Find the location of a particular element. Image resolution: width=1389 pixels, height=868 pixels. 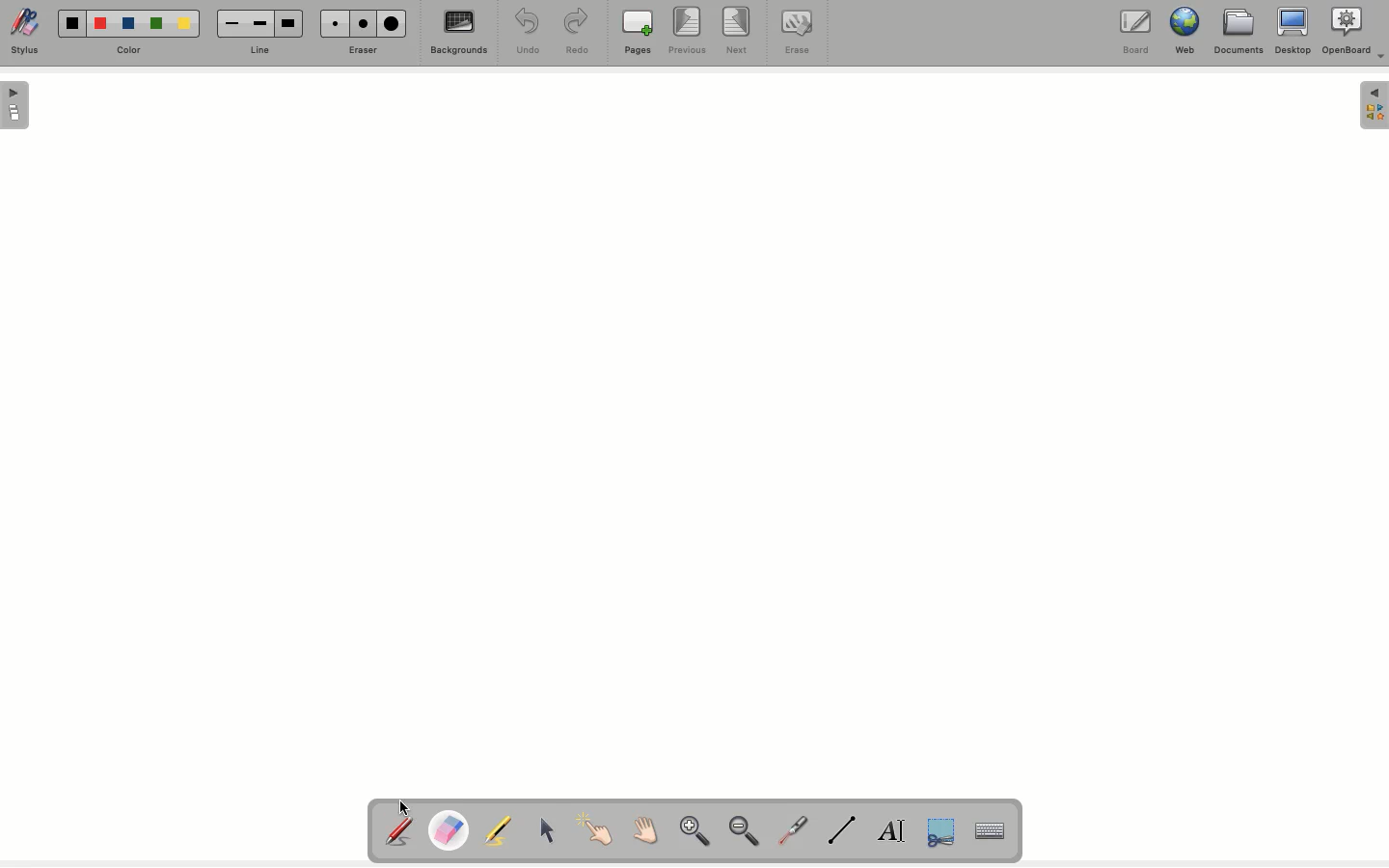

Small is located at coordinates (233, 23).